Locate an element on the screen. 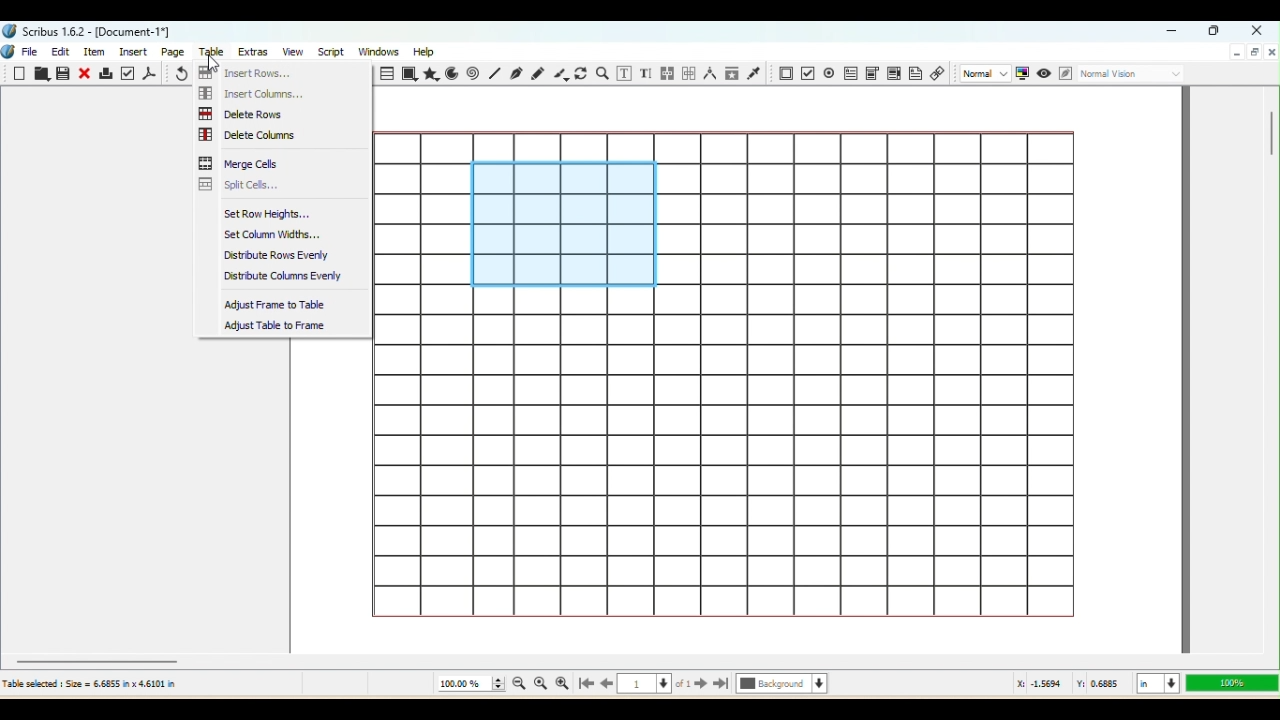 The width and height of the screenshot is (1280, 720). Zoom to 100% is located at coordinates (541, 685).